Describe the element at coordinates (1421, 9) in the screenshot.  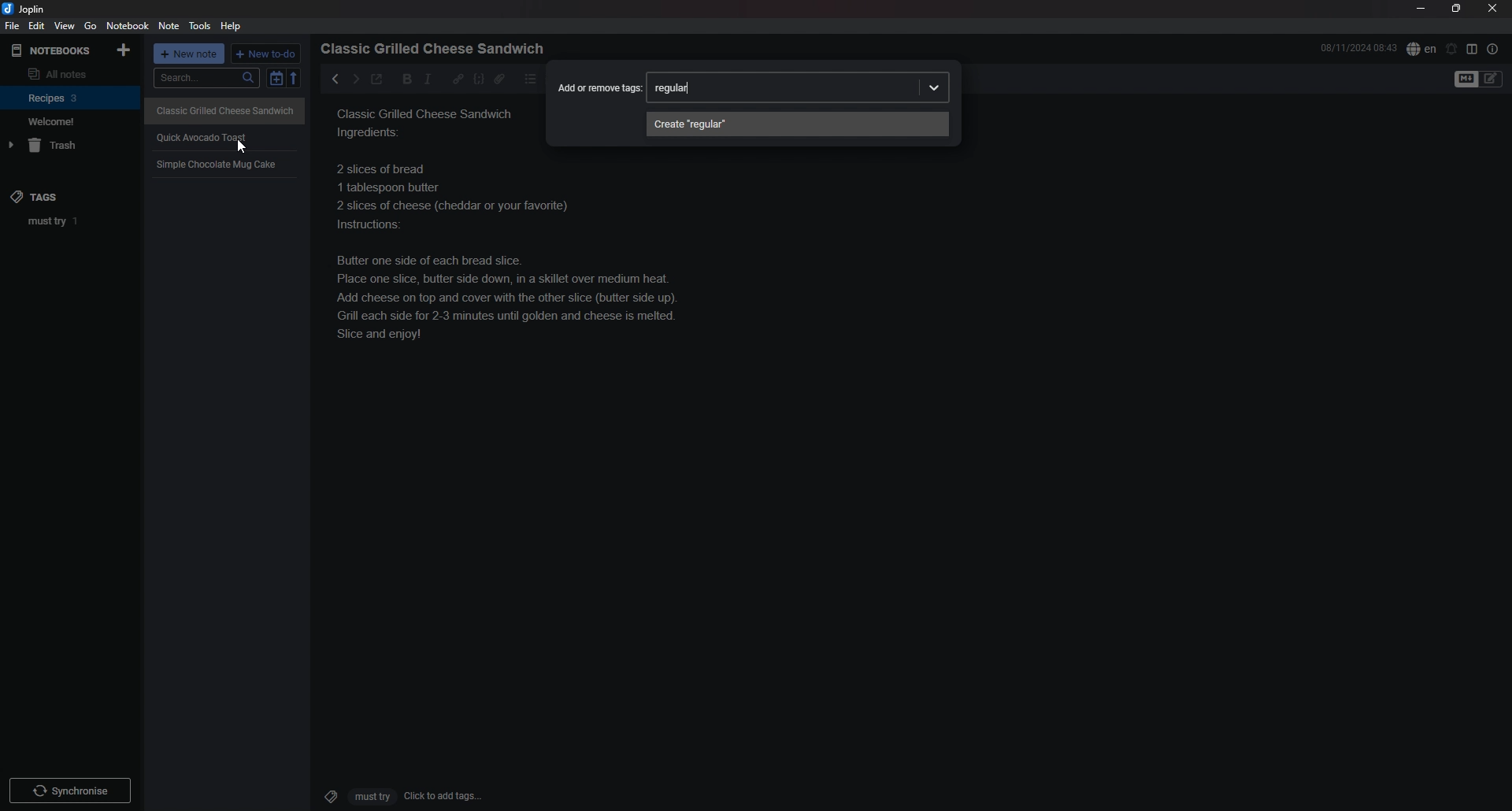
I see `minimize` at that location.